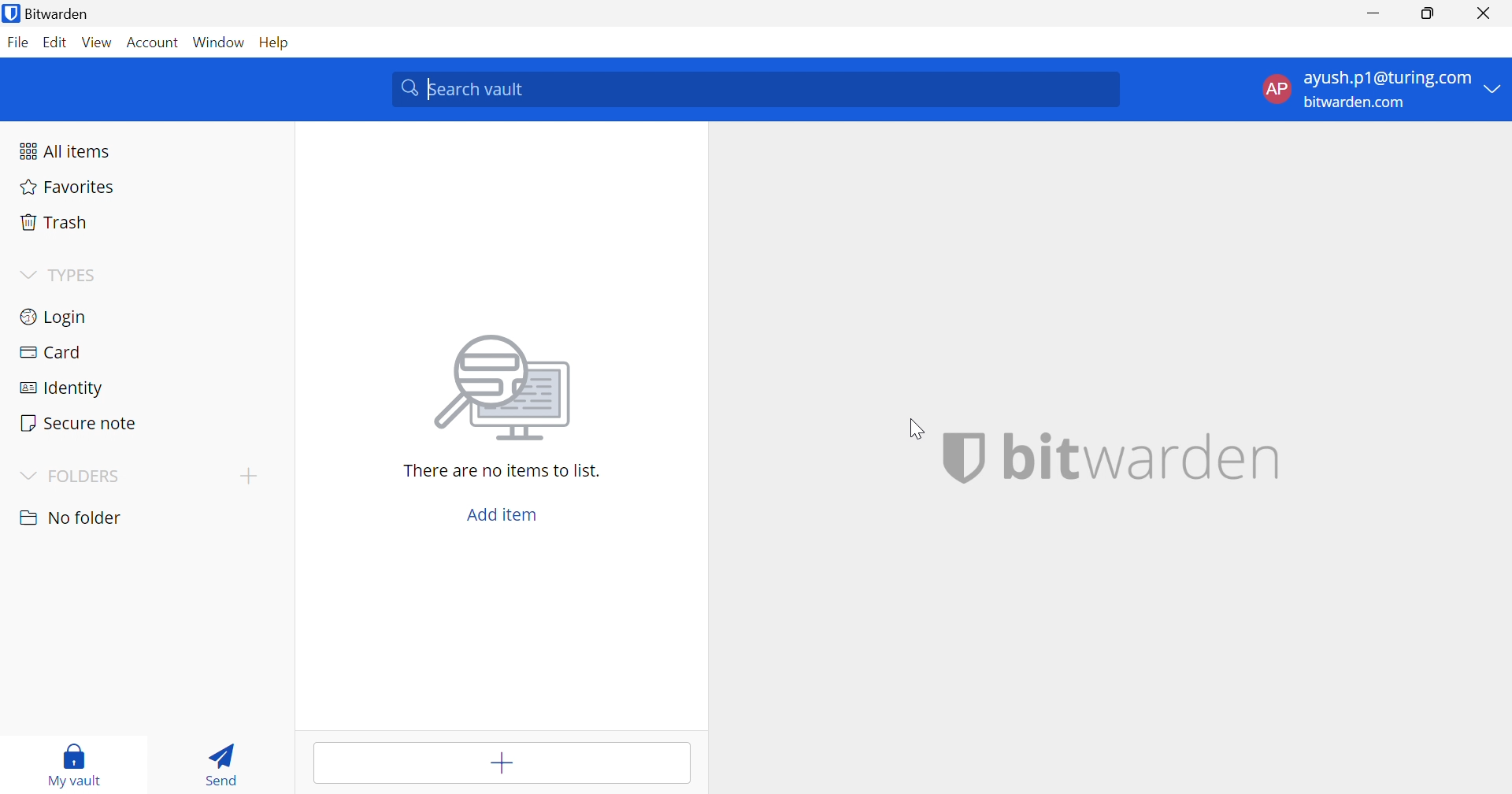  I want to click on Restore Down, so click(1426, 13).